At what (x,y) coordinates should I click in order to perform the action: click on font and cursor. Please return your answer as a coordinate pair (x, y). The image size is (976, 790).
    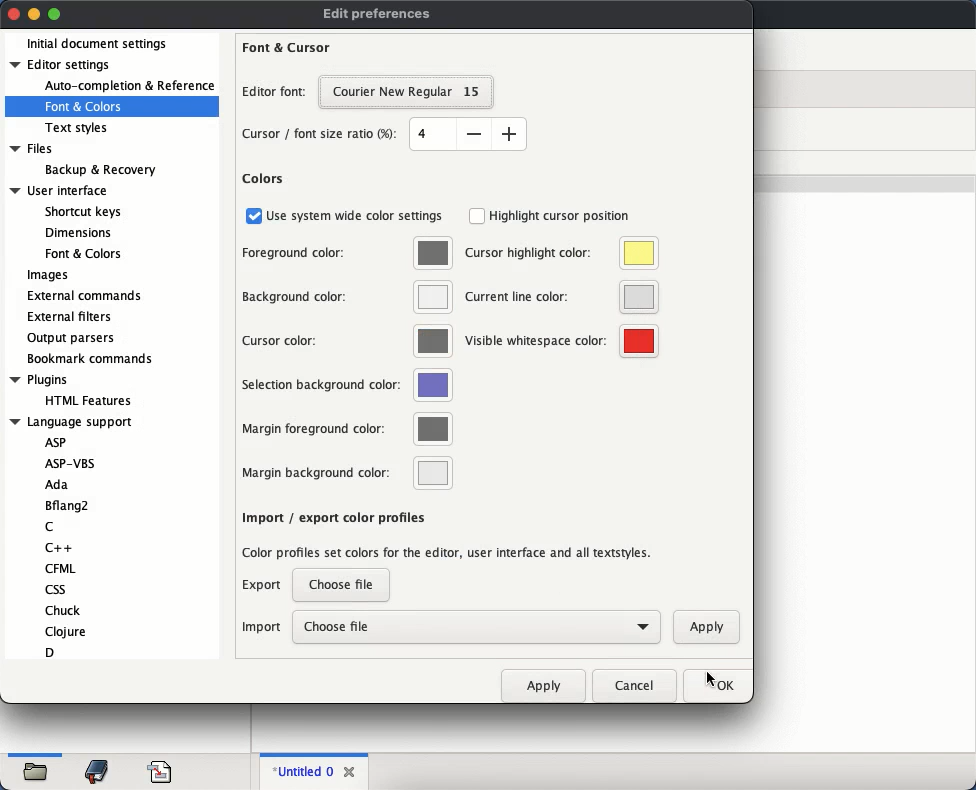
    Looking at the image, I should click on (287, 48).